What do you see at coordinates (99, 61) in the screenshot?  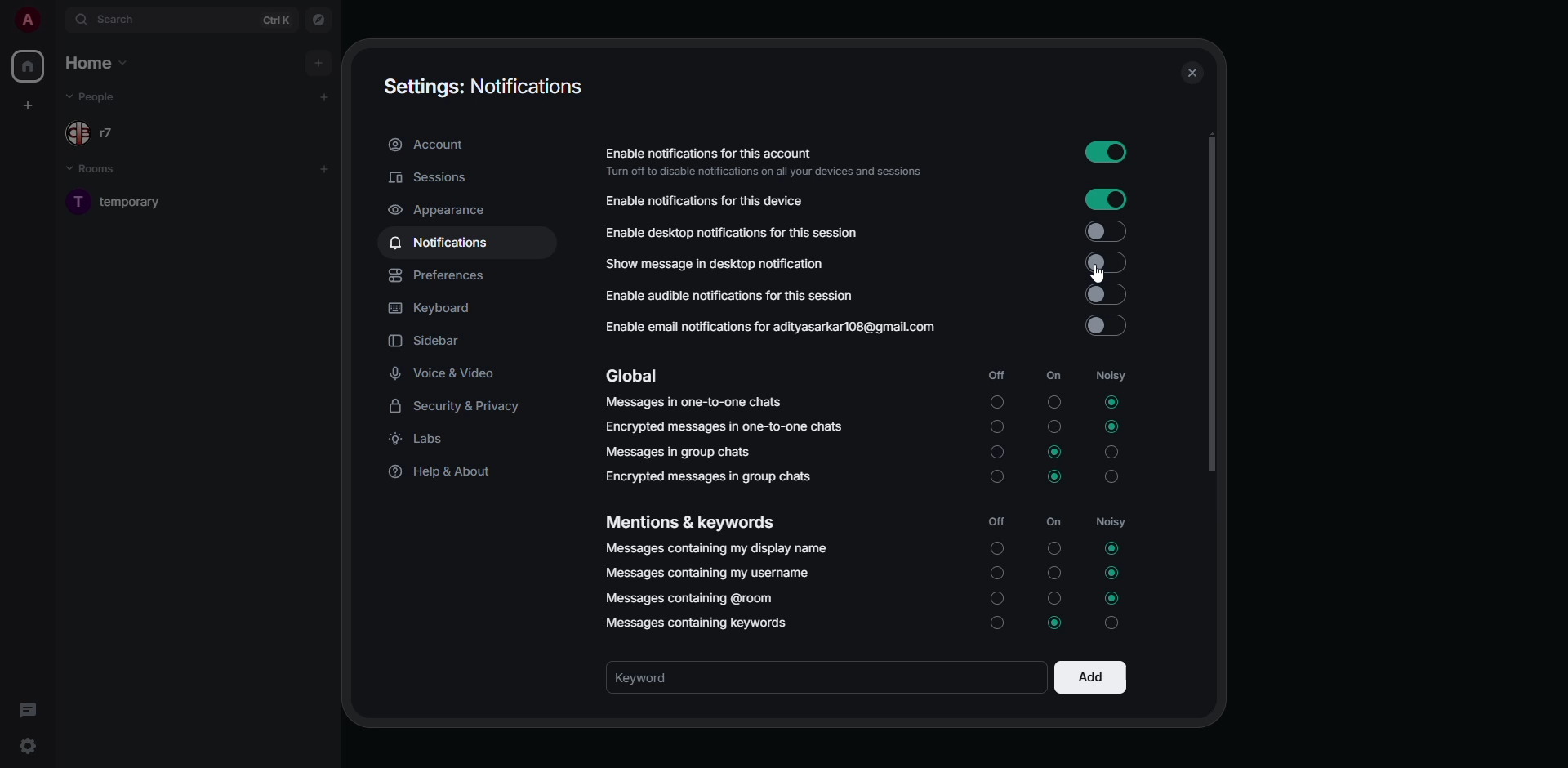 I see `home` at bounding box center [99, 61].